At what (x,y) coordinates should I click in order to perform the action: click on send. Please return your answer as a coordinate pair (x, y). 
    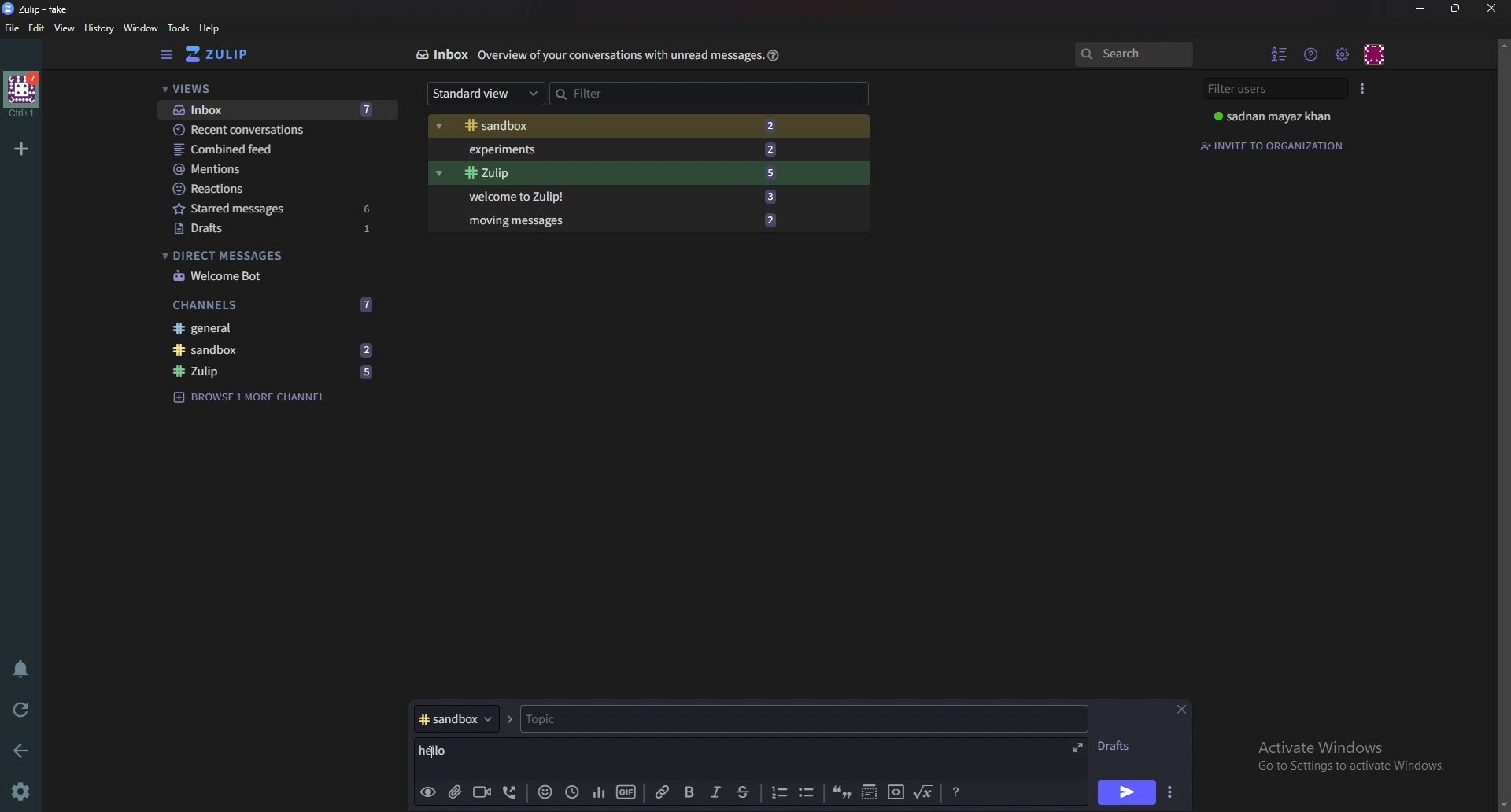
    Looking at the image, I should click on (1125, 793).